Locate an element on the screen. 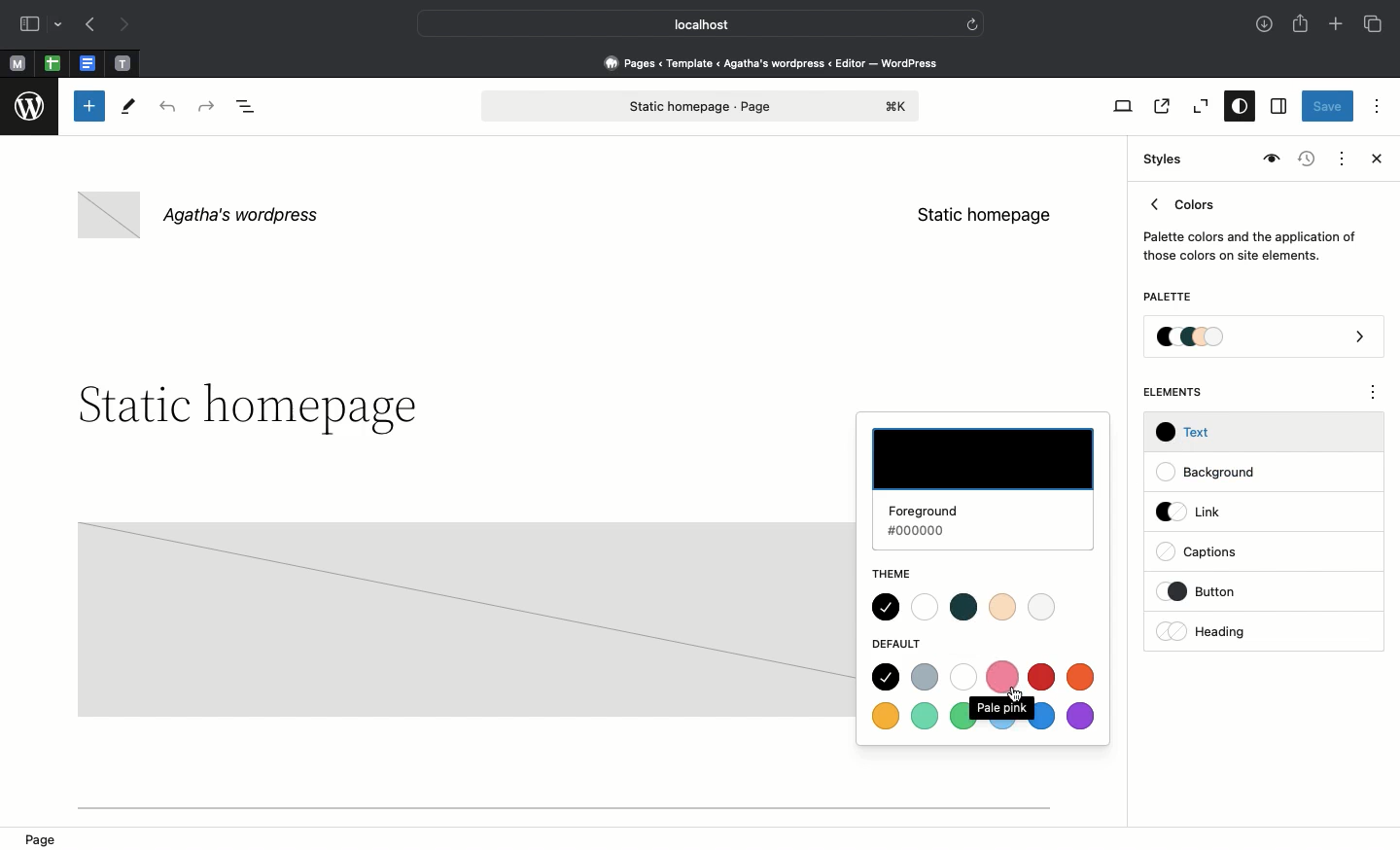 Image resolution: width=1400 pixels, height=850 pixels. Text is located at coordinates (1186, 433).